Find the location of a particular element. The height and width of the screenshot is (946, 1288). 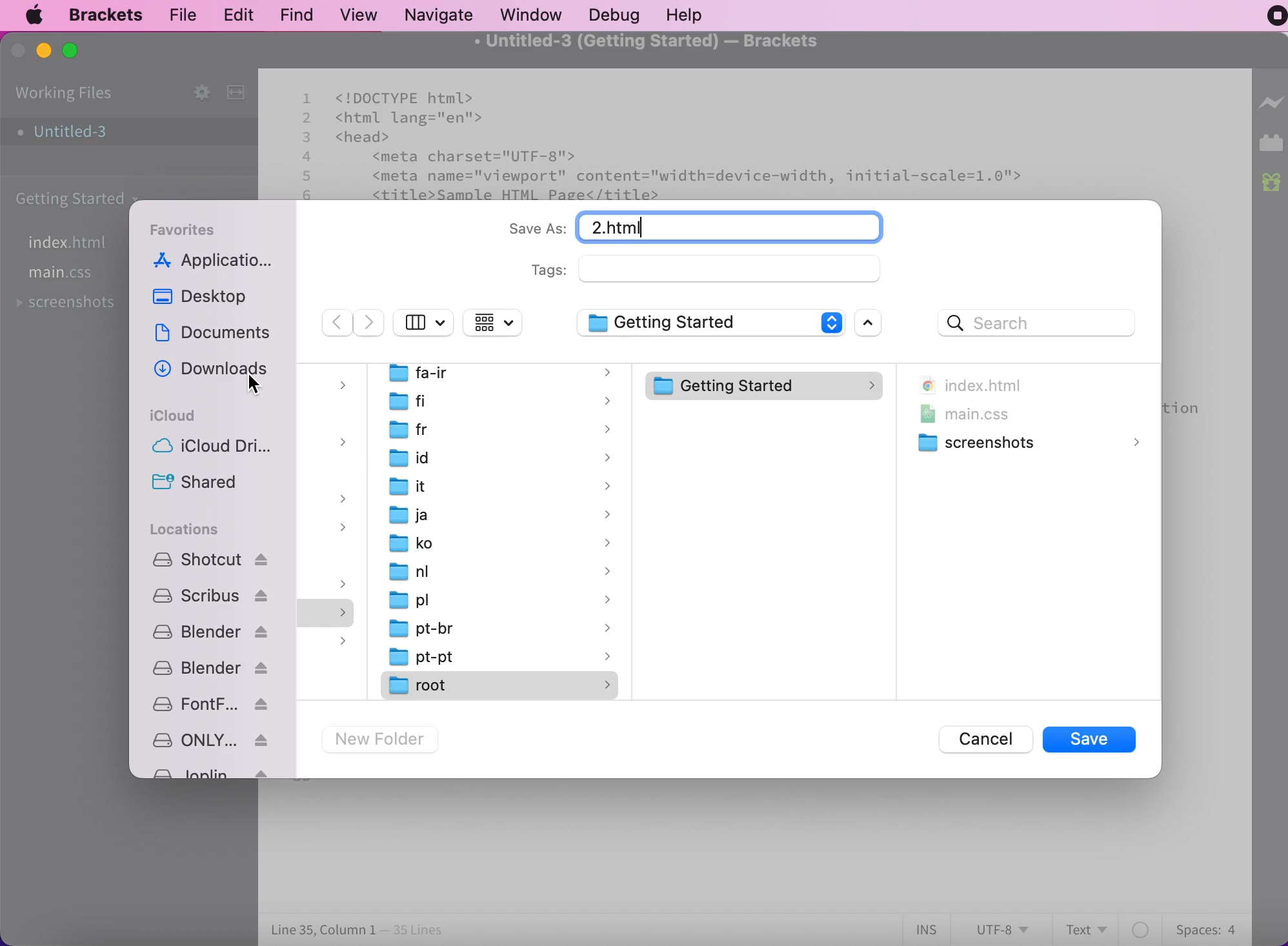

shared is located at coordinates (202, 483).